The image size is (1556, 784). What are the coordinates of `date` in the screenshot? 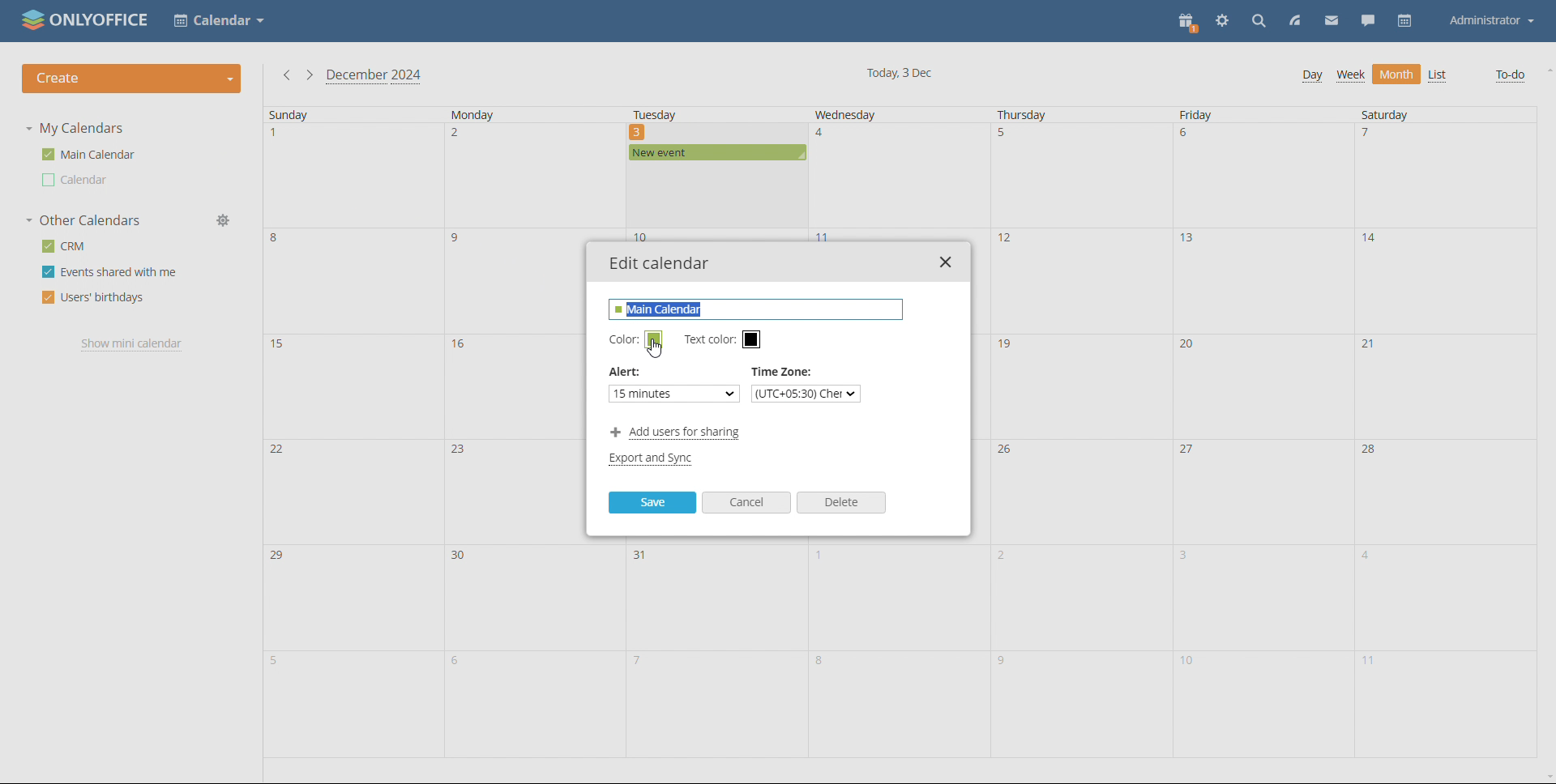 It's located at (353, 177).